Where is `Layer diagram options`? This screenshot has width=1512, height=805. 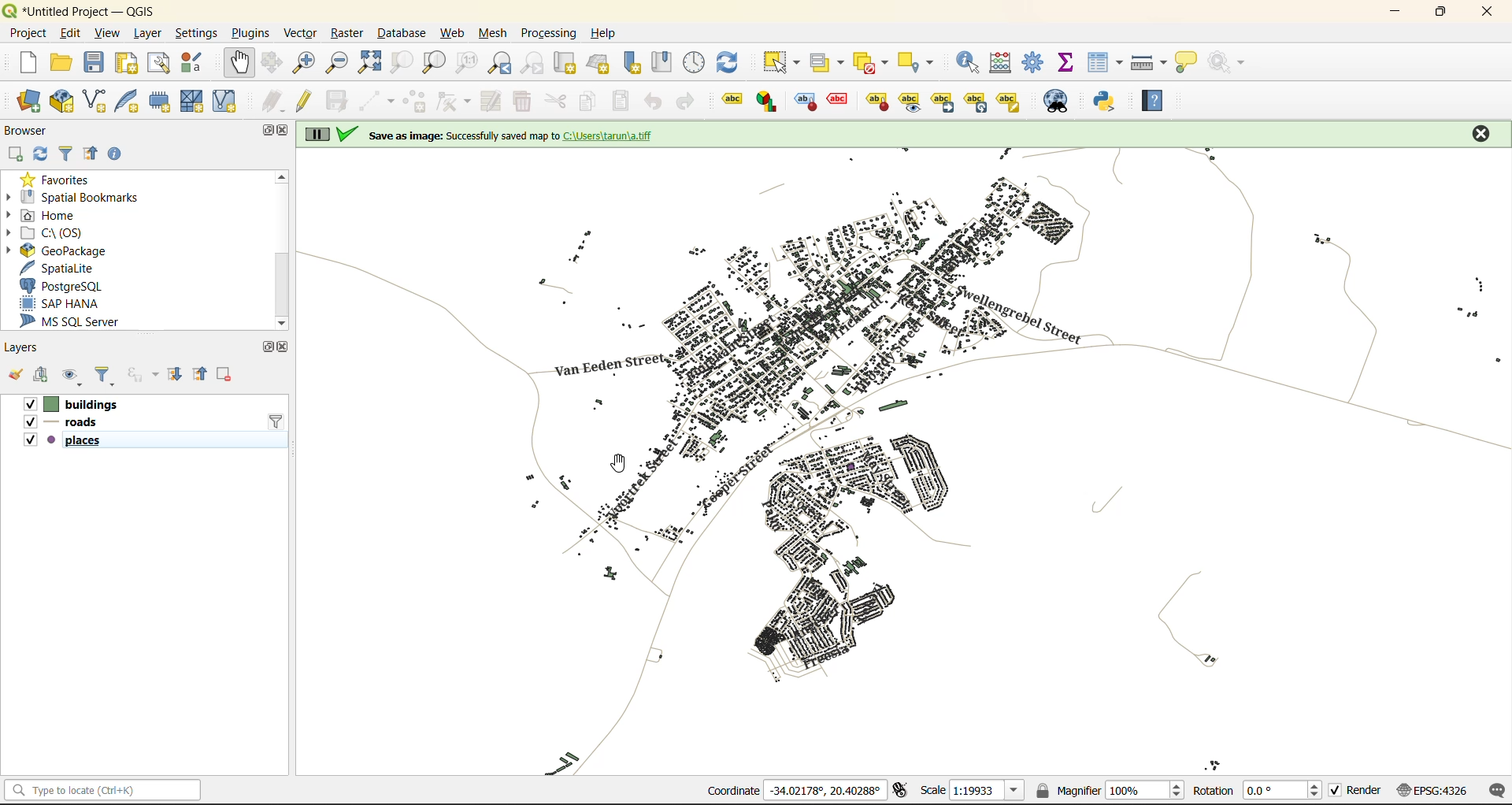
Layer diagram options is located at coordinates (768, 101).